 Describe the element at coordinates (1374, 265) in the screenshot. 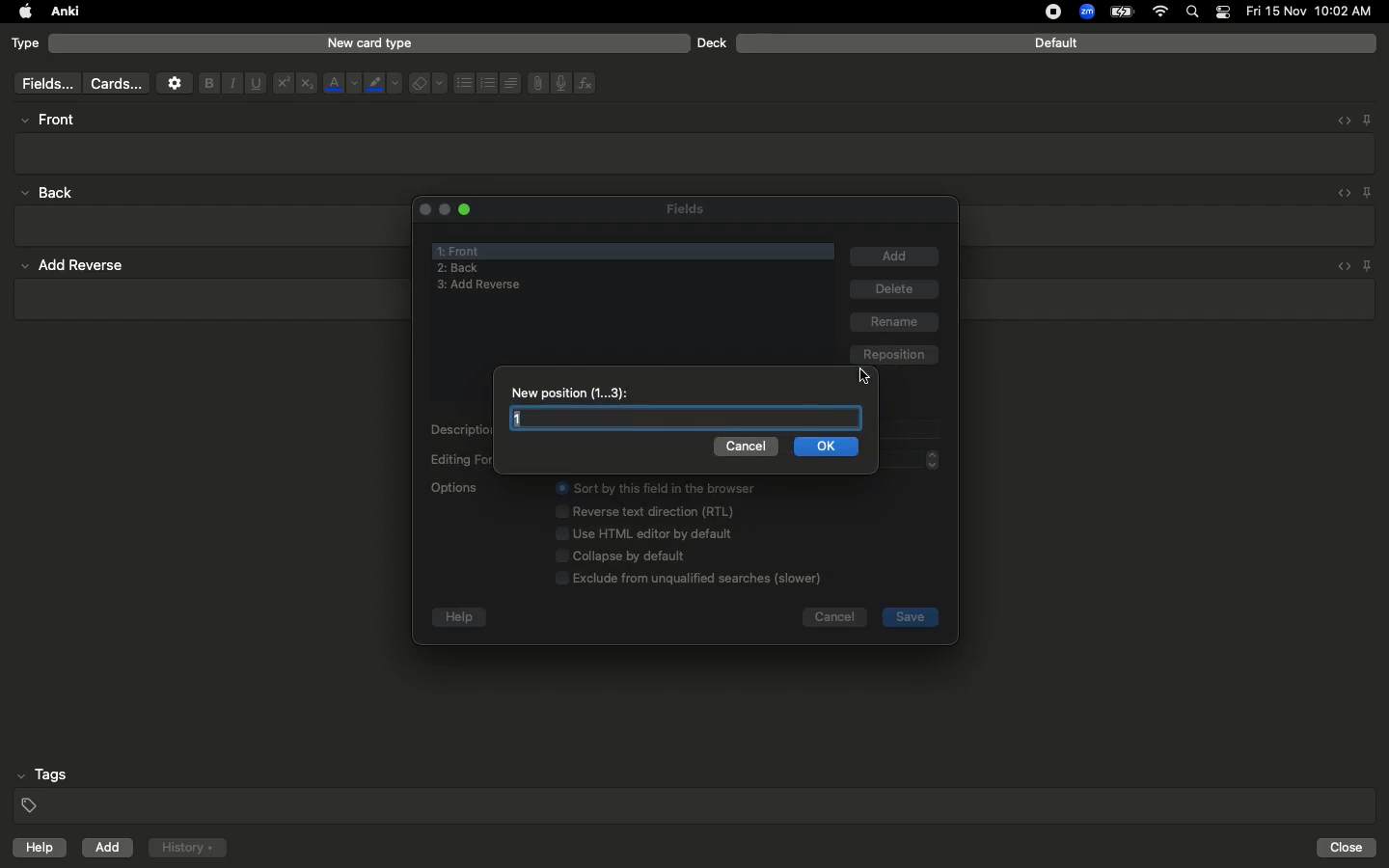

I see `pin` at that location.